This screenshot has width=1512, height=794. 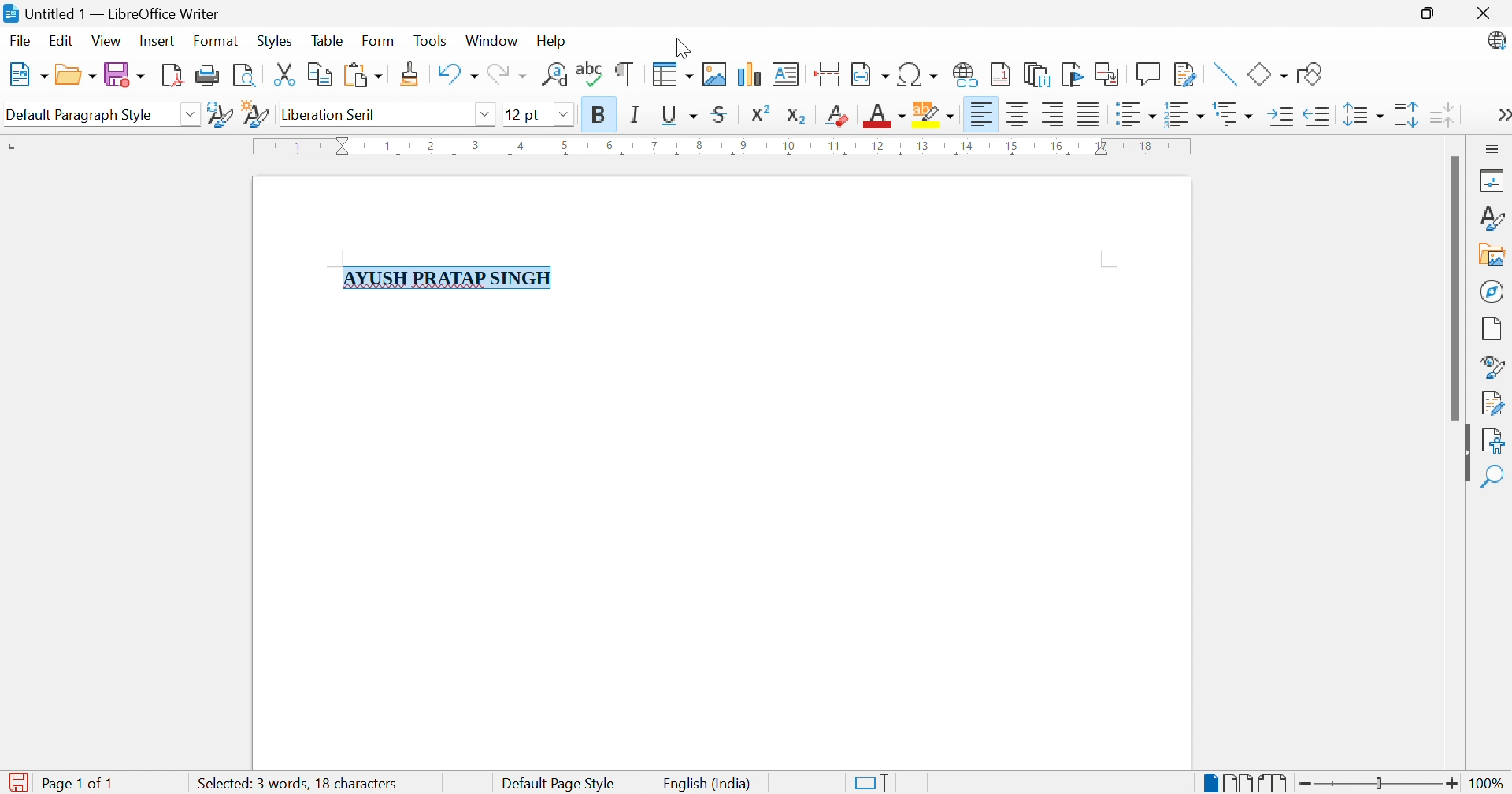 I want to click on Insert Field, so click(x=869, y=74).